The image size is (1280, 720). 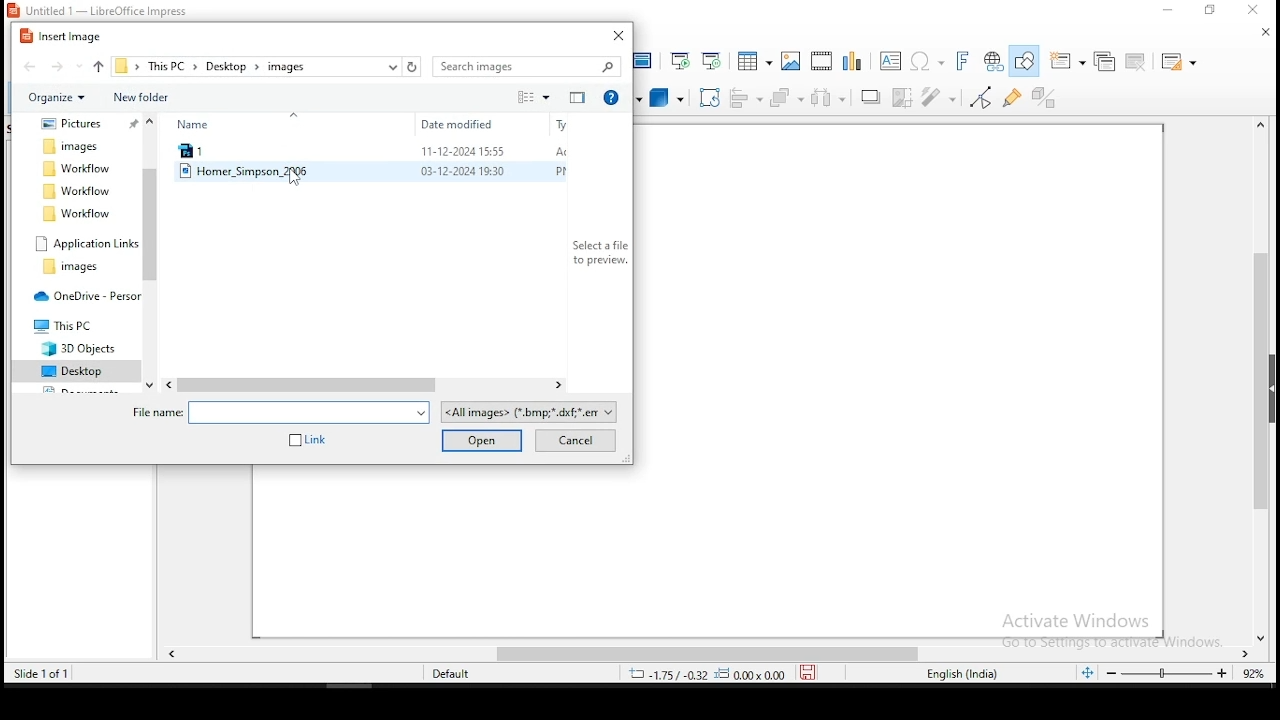 What do you see at coordinates (618, 33) in the screenshot?
I see `close window` at bounding box center [618, 33].